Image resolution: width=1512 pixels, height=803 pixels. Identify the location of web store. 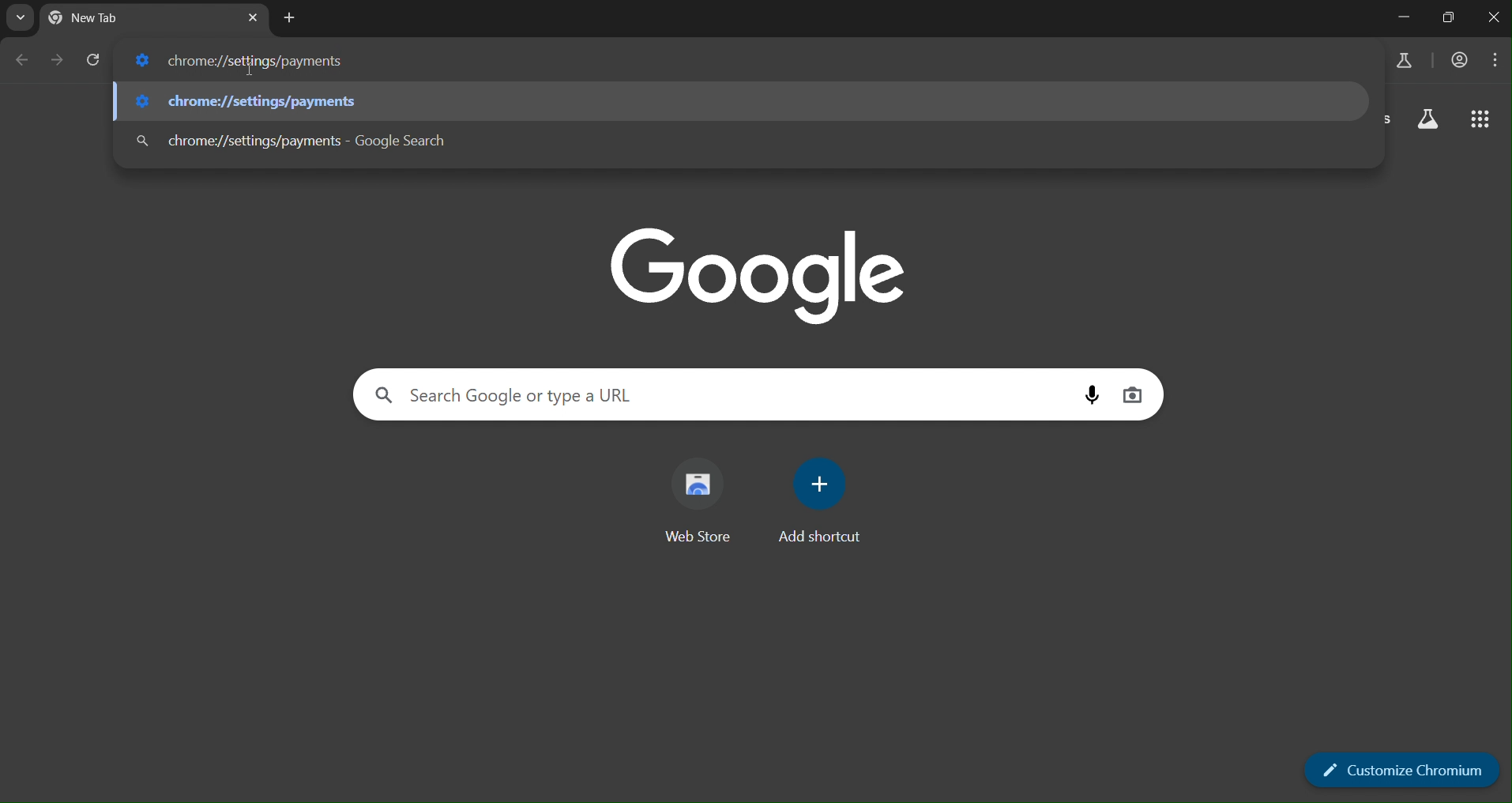
(698, 499).